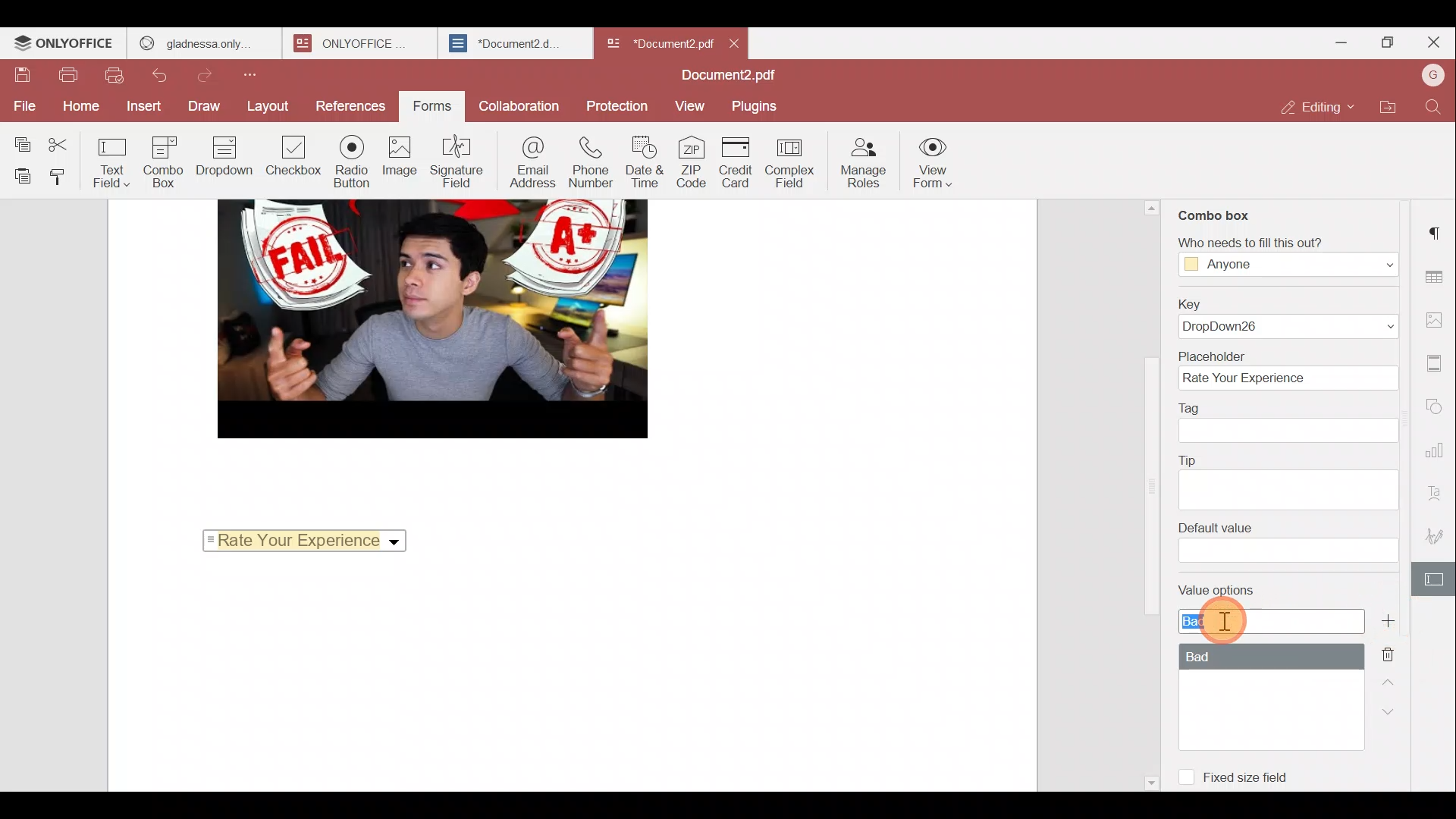 The image size is (1456, 819). Describe the element at coordinates (1438, 491) in the screenshot. I see `Text Art settings` at that location.